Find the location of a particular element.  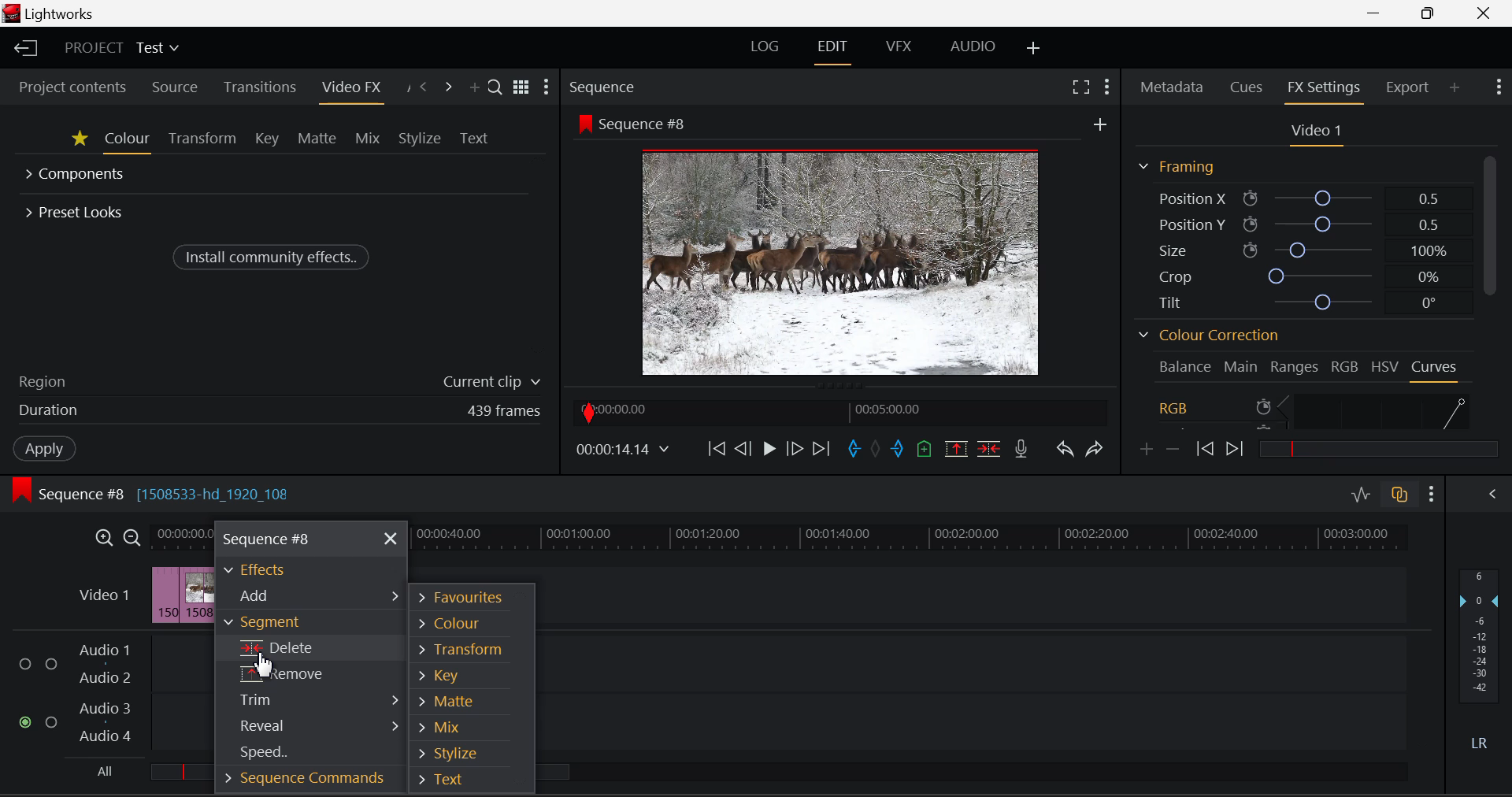

Sequence Preview Section is located at coordinates (603, 87).